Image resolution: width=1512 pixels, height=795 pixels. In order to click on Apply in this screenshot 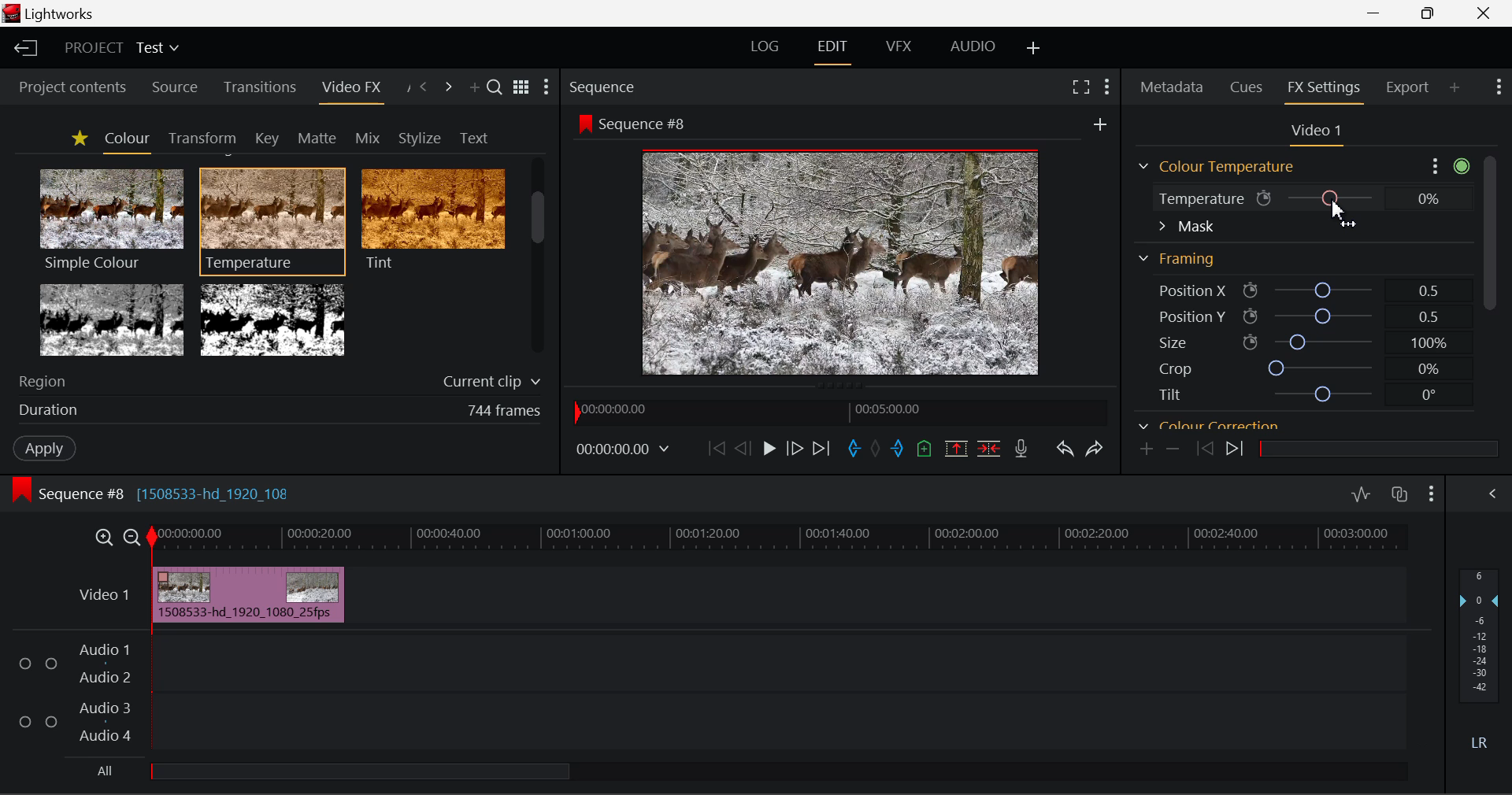, I will do `click(36, 447)`.